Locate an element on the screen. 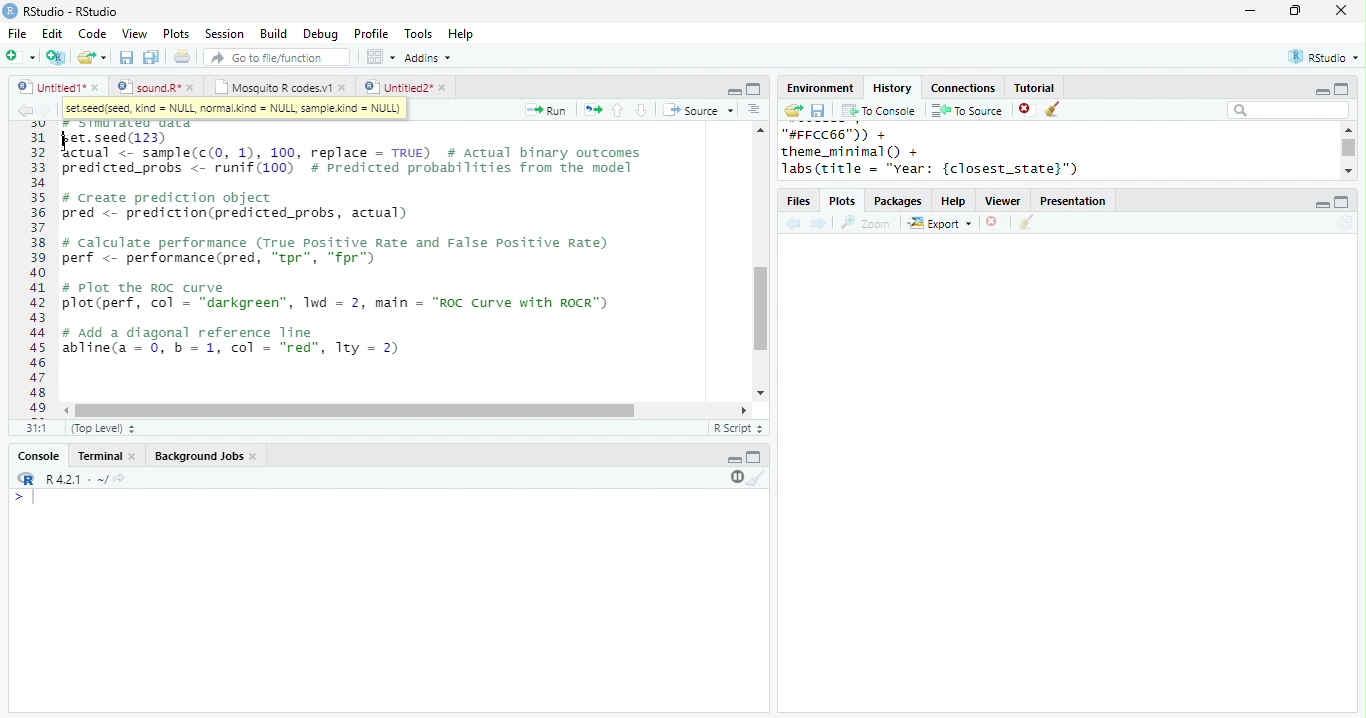 This screenshot has width=1366, height=718. new file is located at coordinates (20, 56).